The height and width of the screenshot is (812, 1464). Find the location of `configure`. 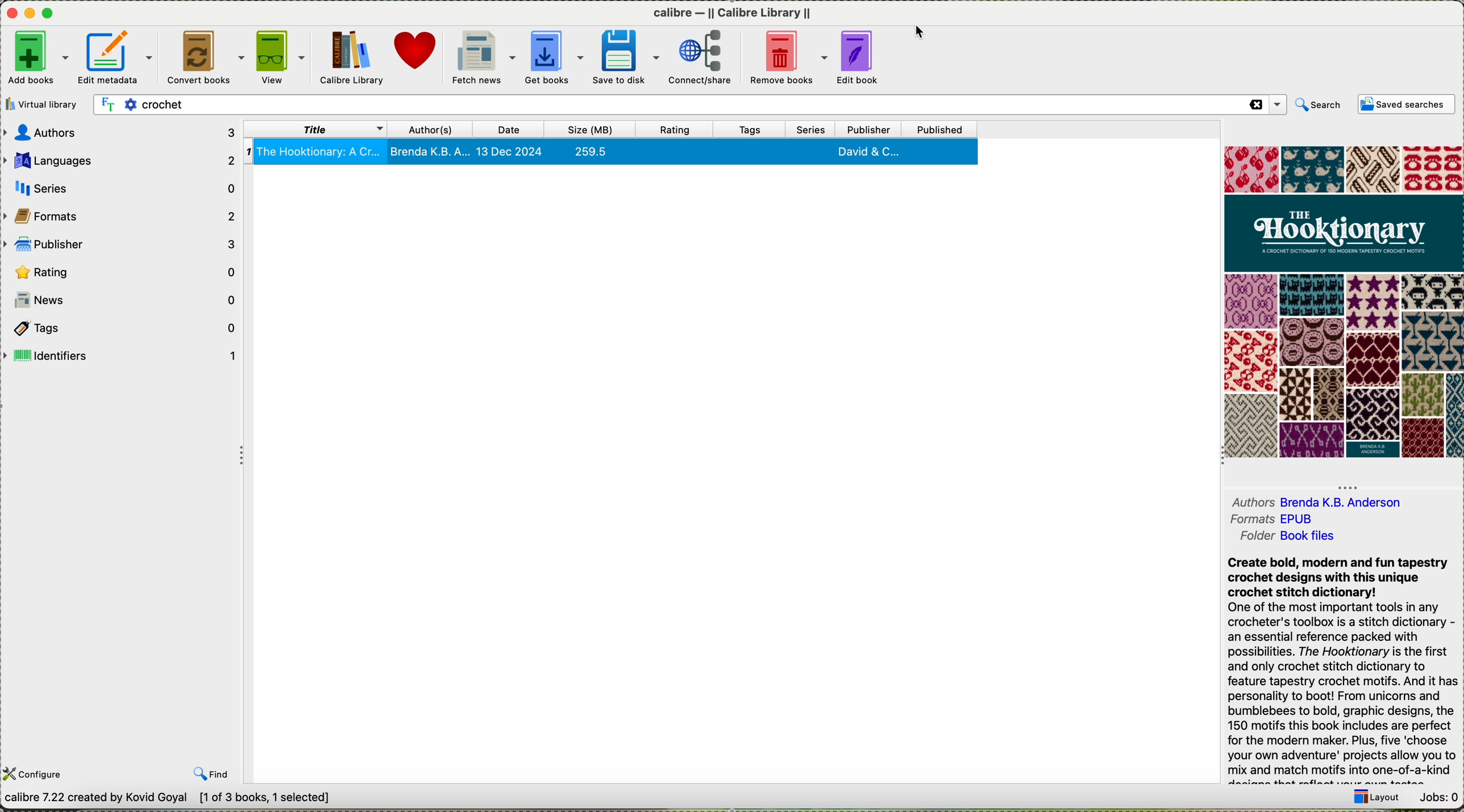

configure is located at coordinates (35, 773).